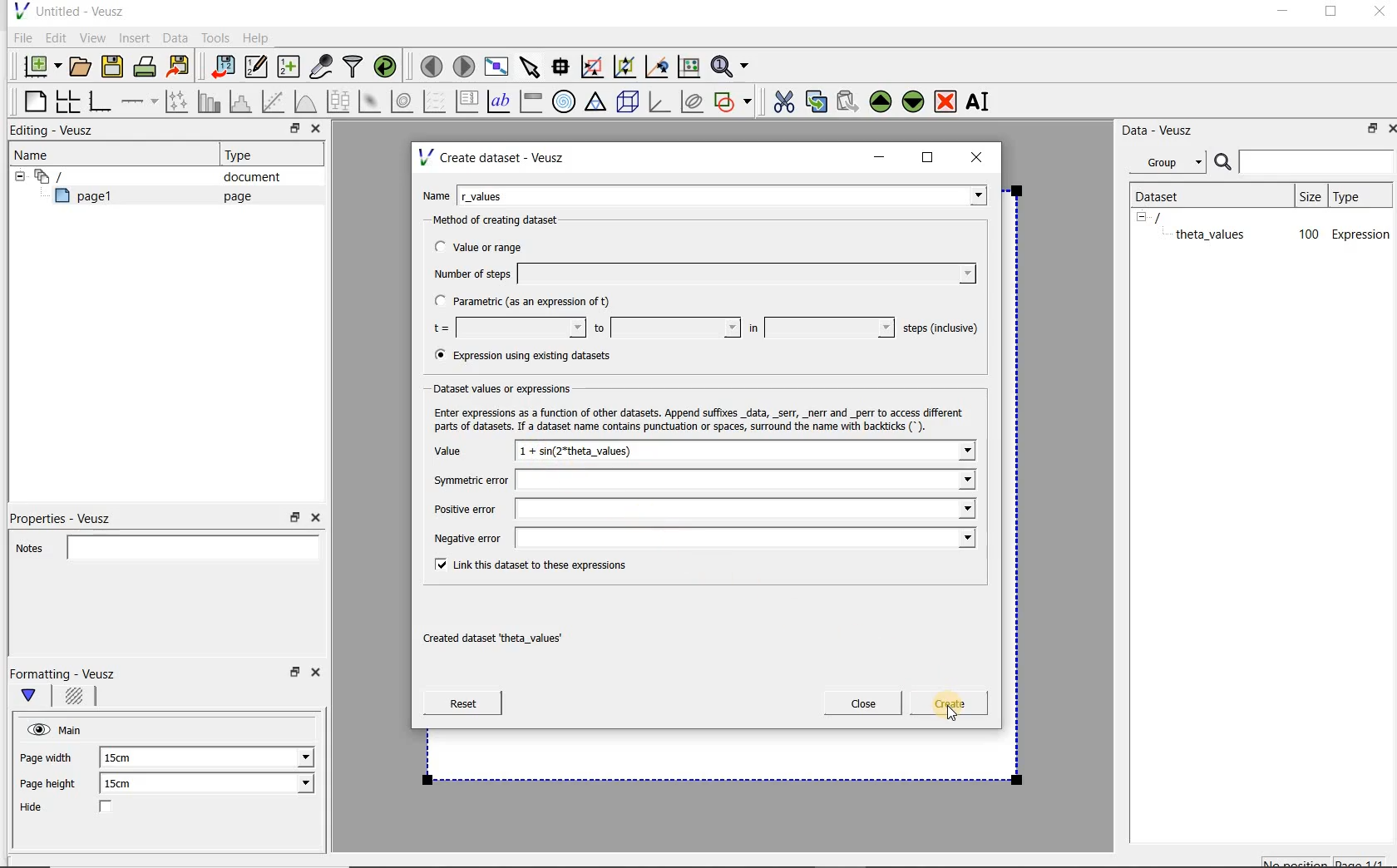  What do you see at coordinates (372, 102) in the screenshot?
I see `plot a 2d dataset as an image` at bounding box center [372, 102].